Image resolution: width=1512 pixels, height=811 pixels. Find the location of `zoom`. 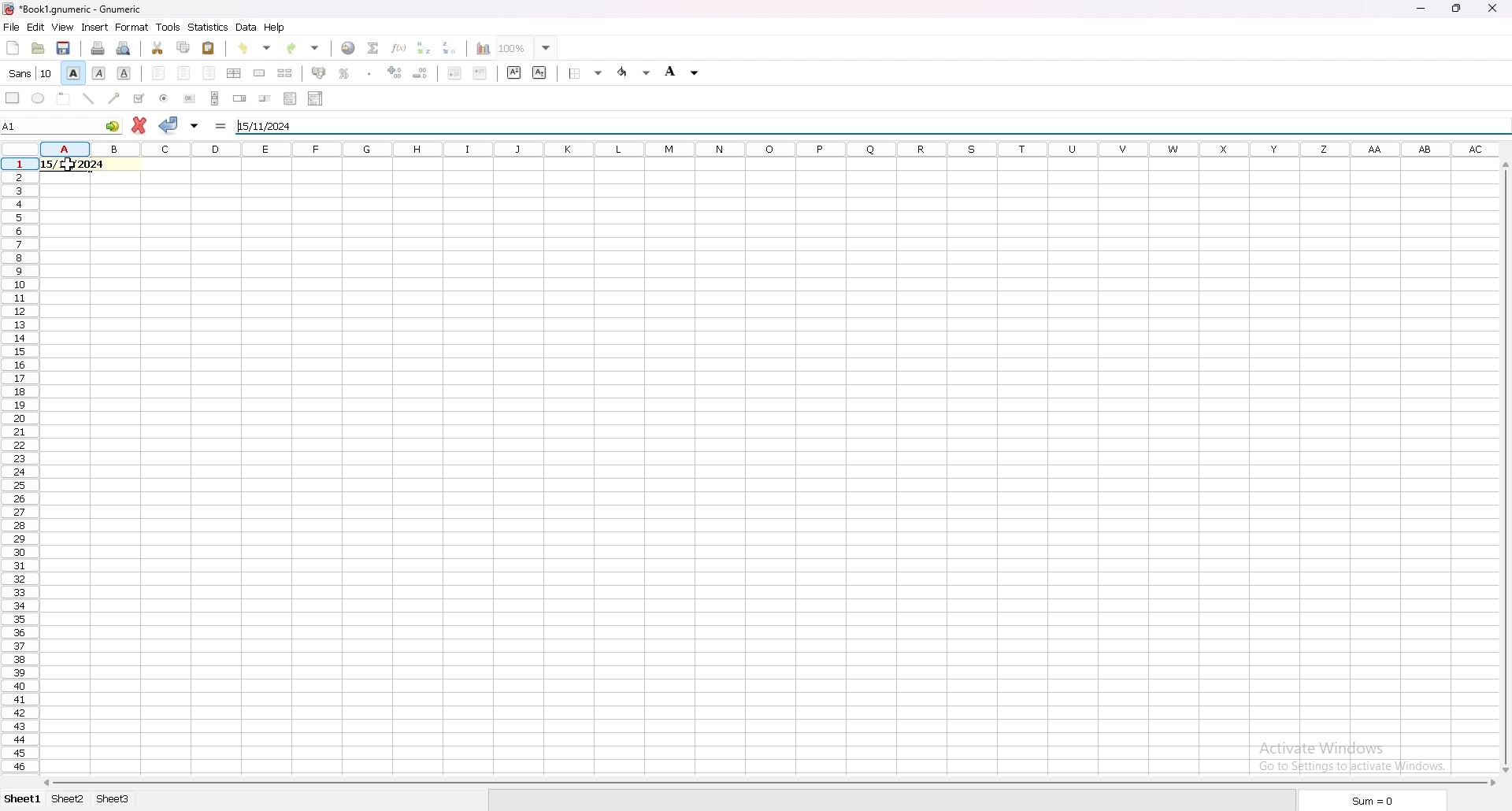

zoom is located at coordinates (528, 47).